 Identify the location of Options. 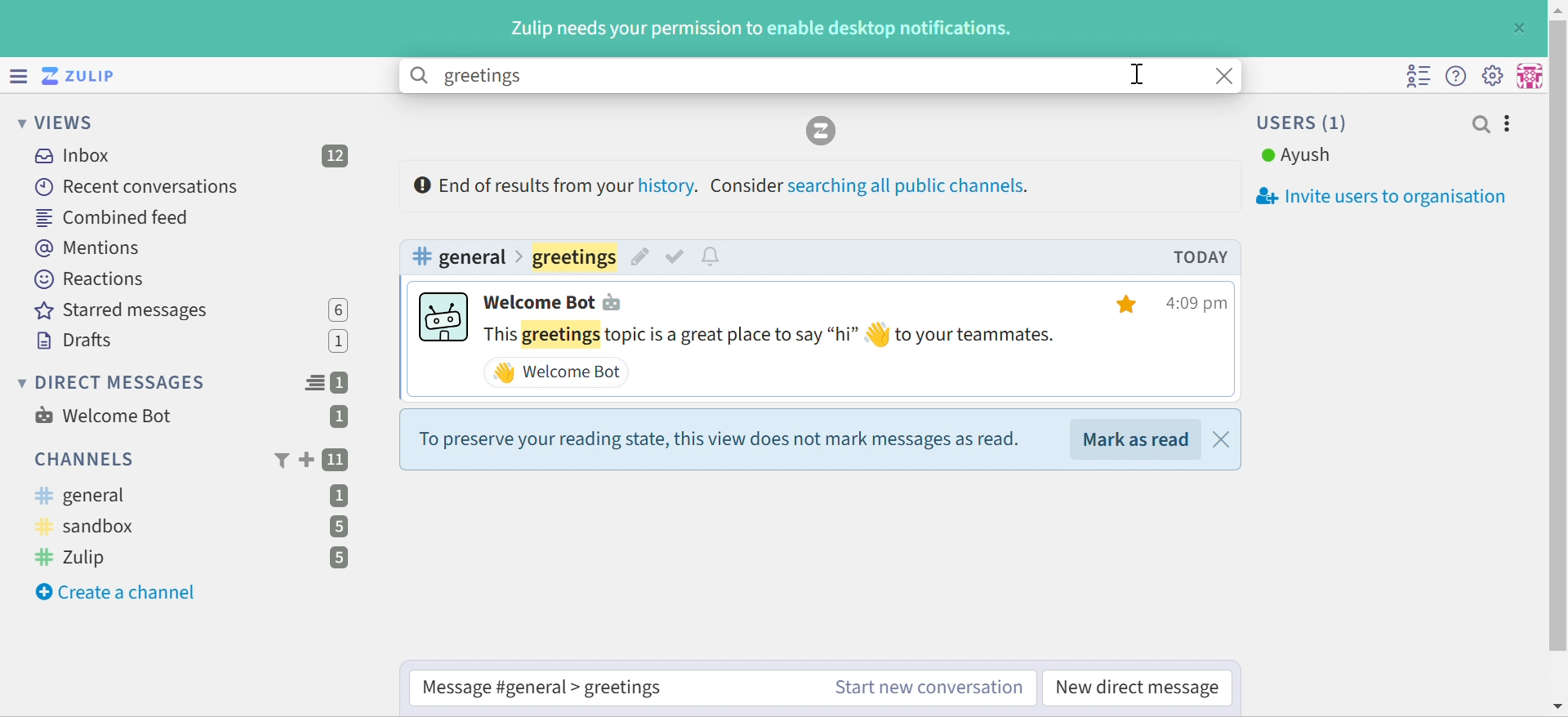
(1508, 124).